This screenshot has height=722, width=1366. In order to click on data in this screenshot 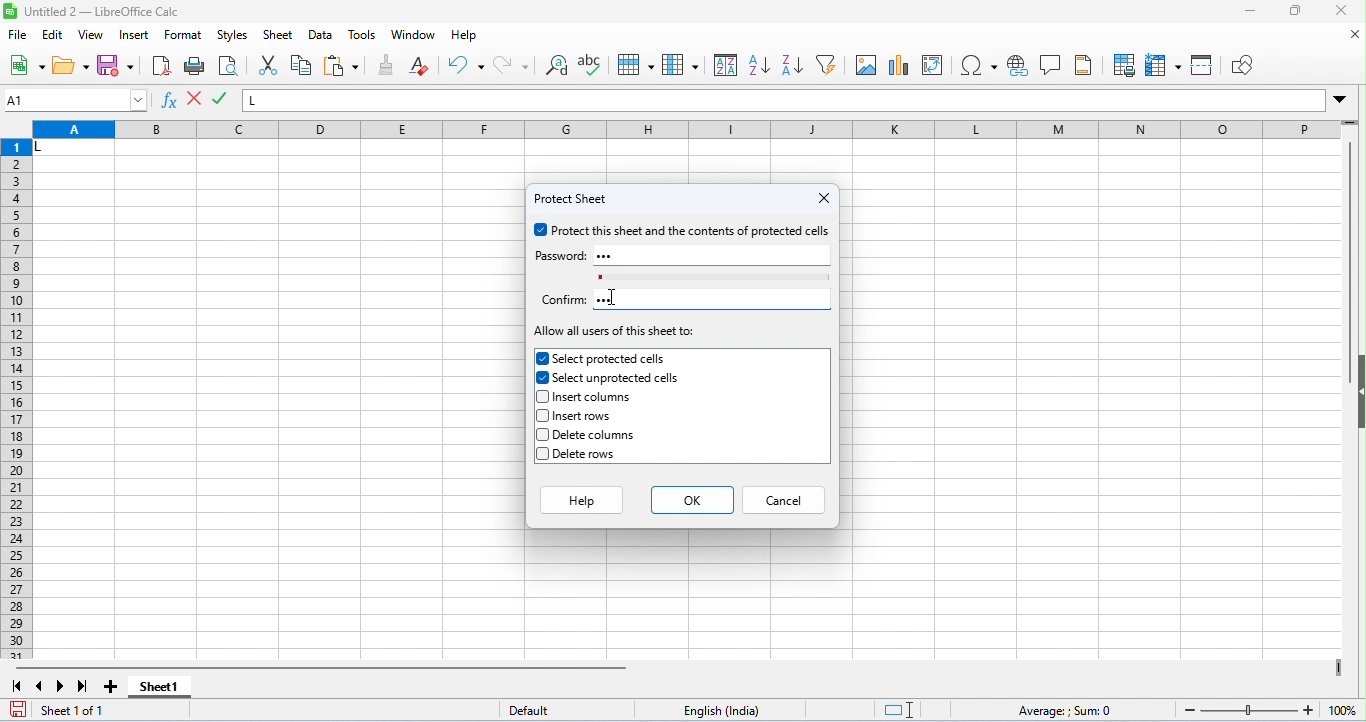, I will do `click(323, 36)`.